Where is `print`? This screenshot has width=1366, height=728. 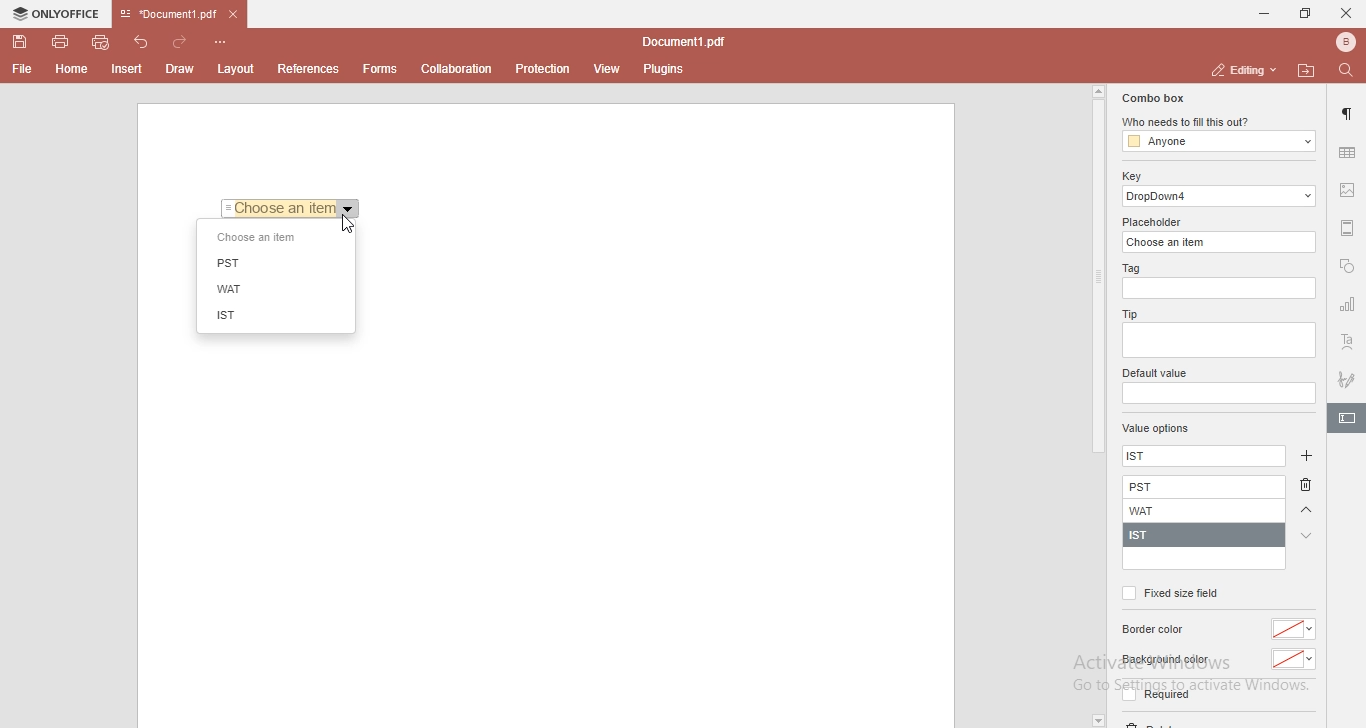
print is located at coordinates (59, 40).